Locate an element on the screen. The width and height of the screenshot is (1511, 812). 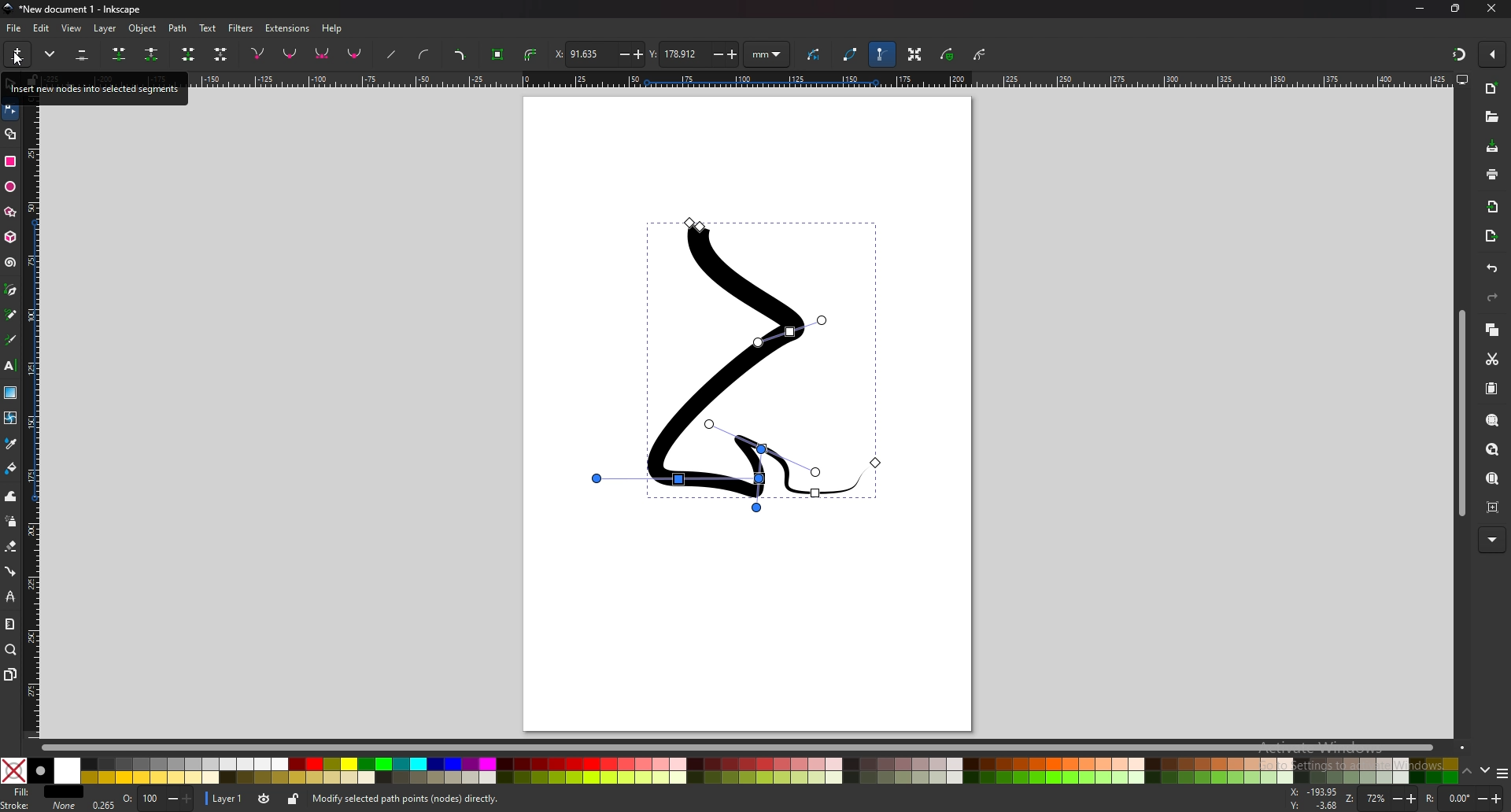
copy is located at coordinates (1493, 331).